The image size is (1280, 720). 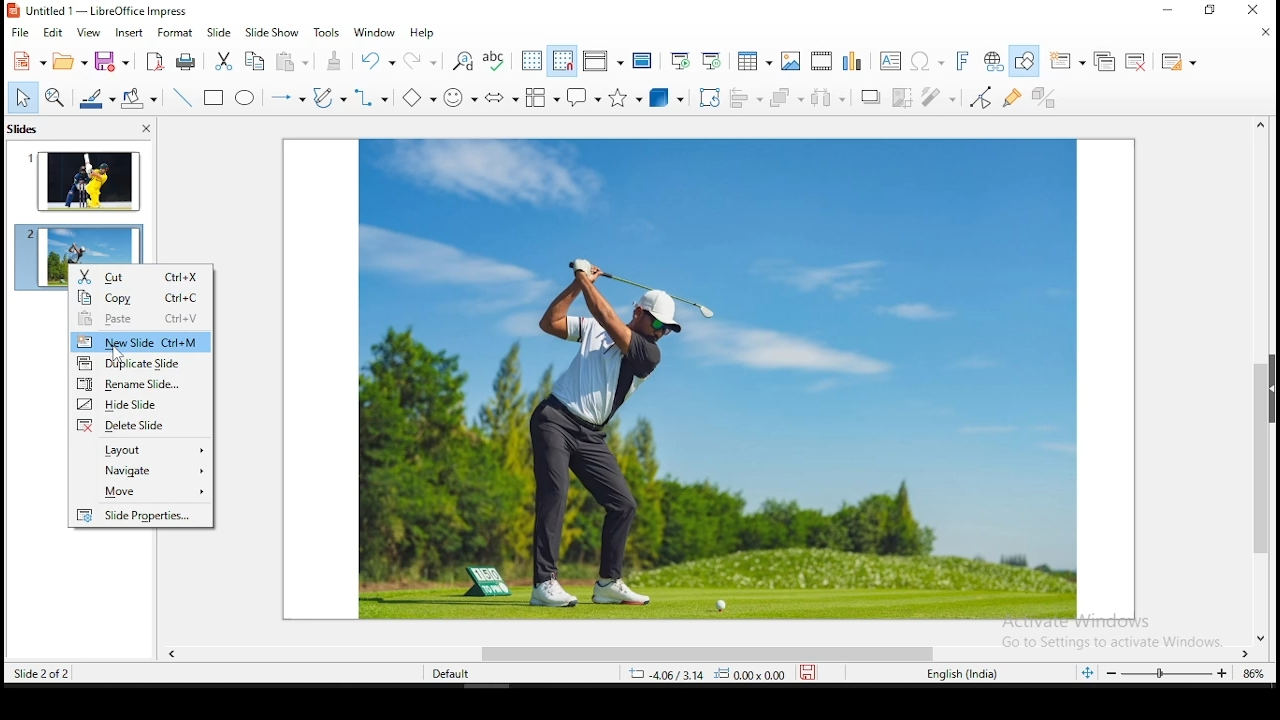 I want to click on file, so click(x=20, y=33).